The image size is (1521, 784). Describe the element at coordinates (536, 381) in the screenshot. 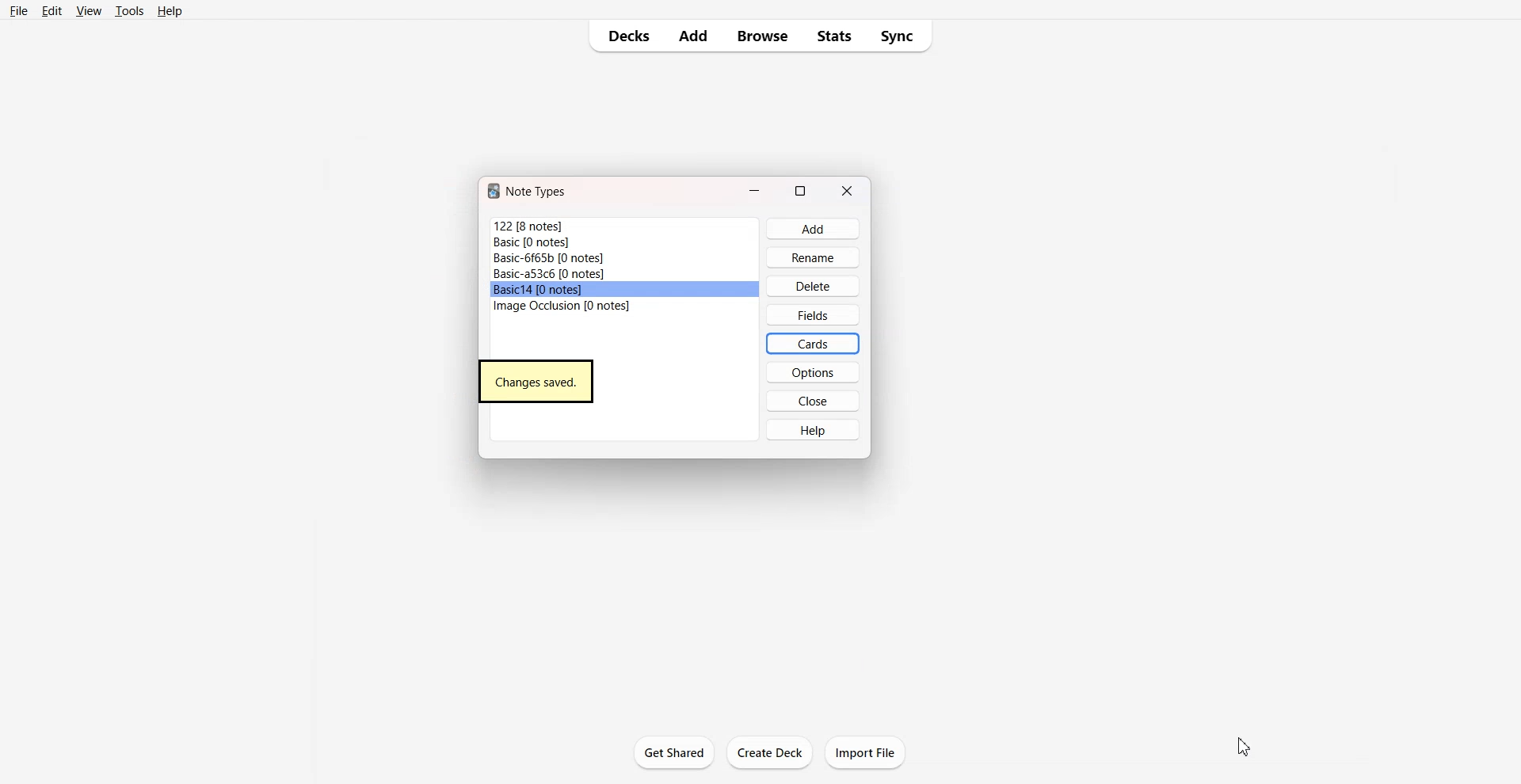

I see `Text` at that location.